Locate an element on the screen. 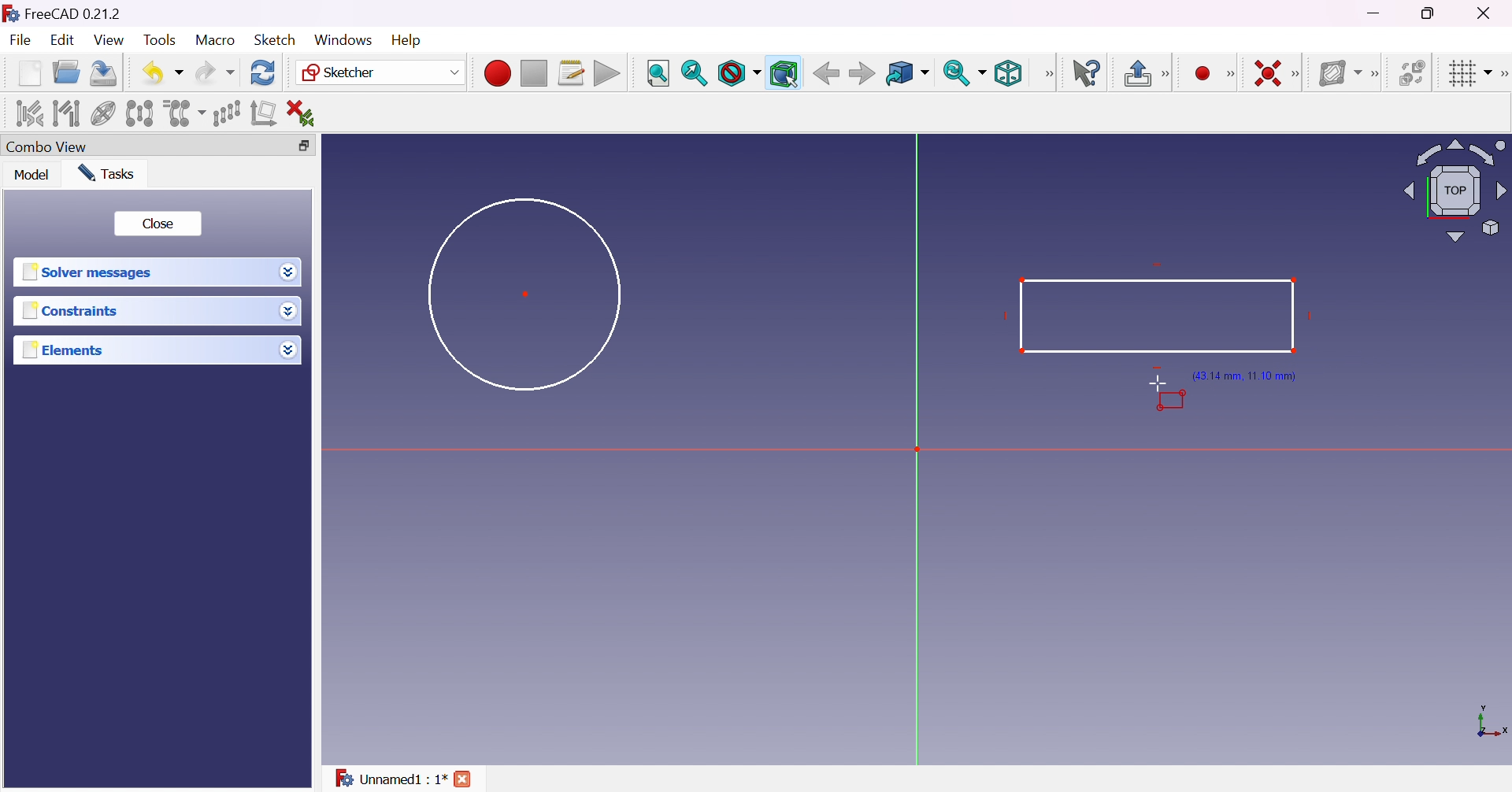  Back is located at coordinates (826, 72).